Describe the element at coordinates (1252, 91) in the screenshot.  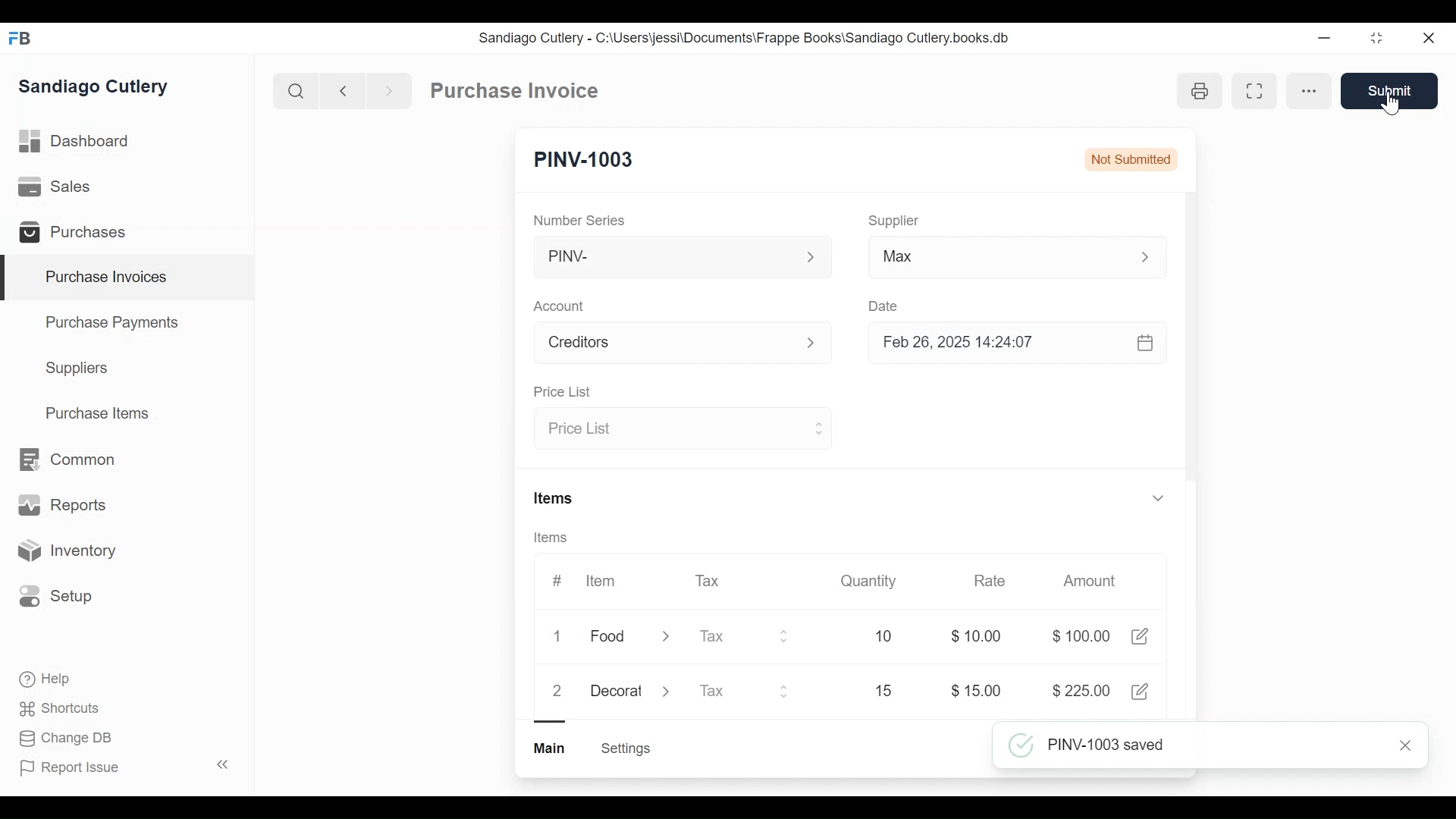
I see `Toggle between form and full view` at that location.